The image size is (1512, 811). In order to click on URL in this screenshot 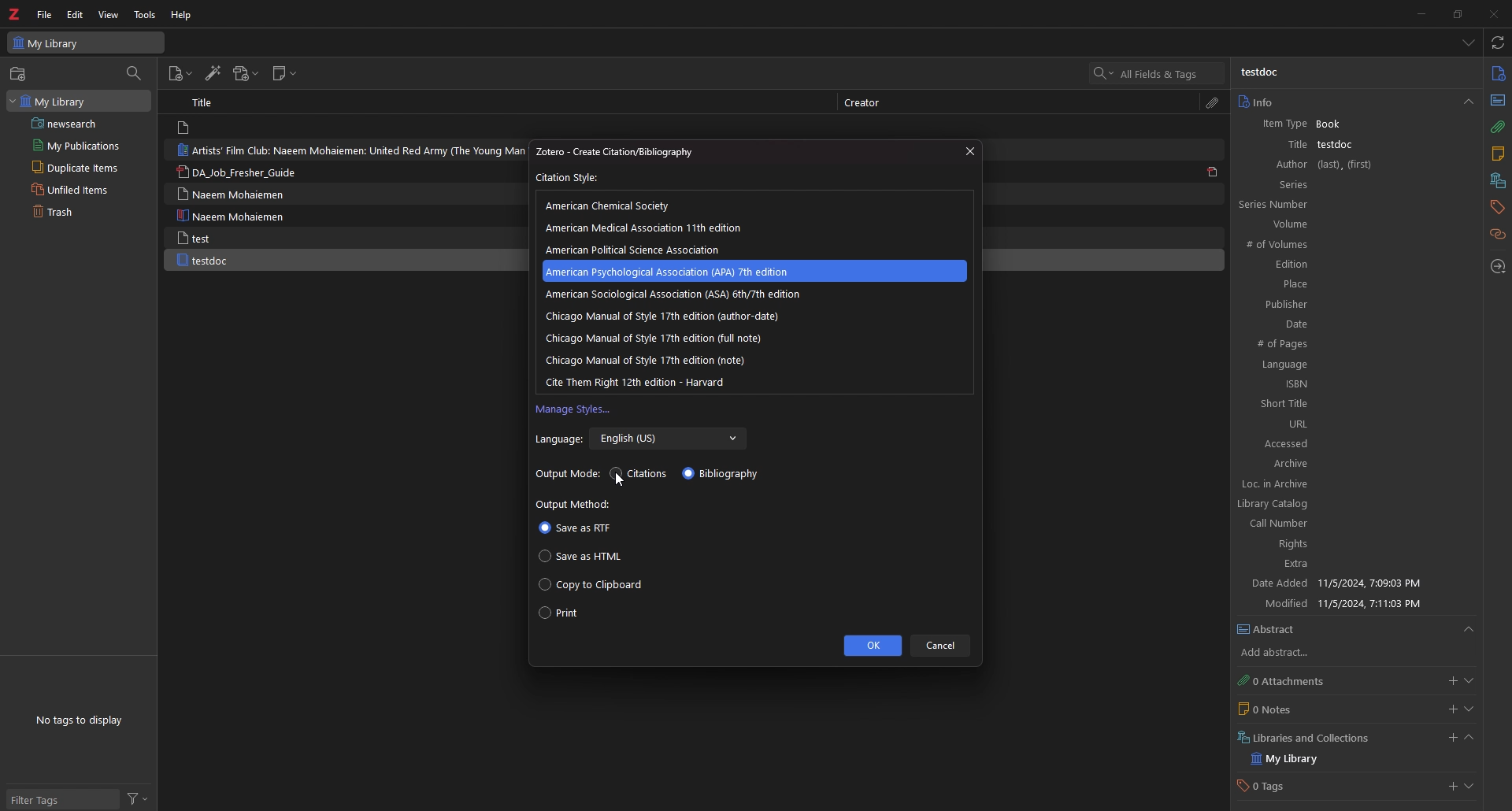, I will do `click(1352, 424)`.